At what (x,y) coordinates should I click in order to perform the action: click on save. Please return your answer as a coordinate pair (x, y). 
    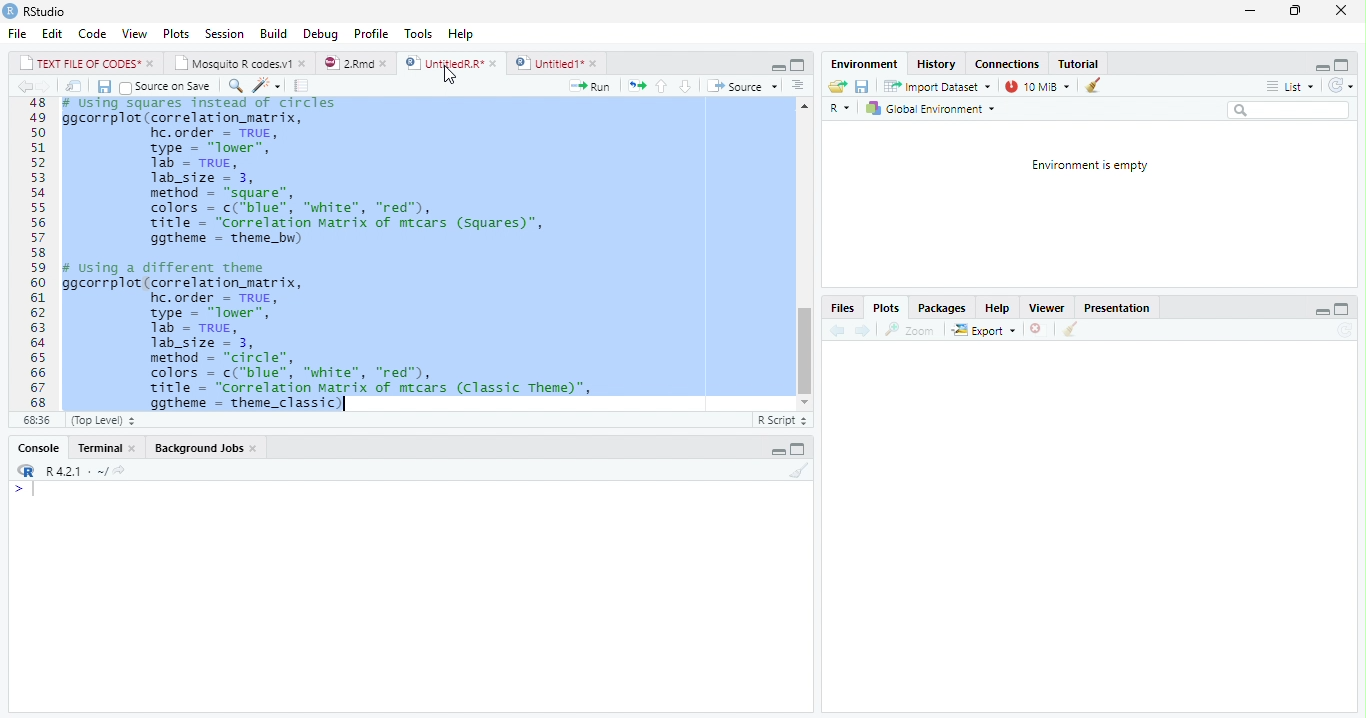
    Looking at the image, I should click on (864, 87).